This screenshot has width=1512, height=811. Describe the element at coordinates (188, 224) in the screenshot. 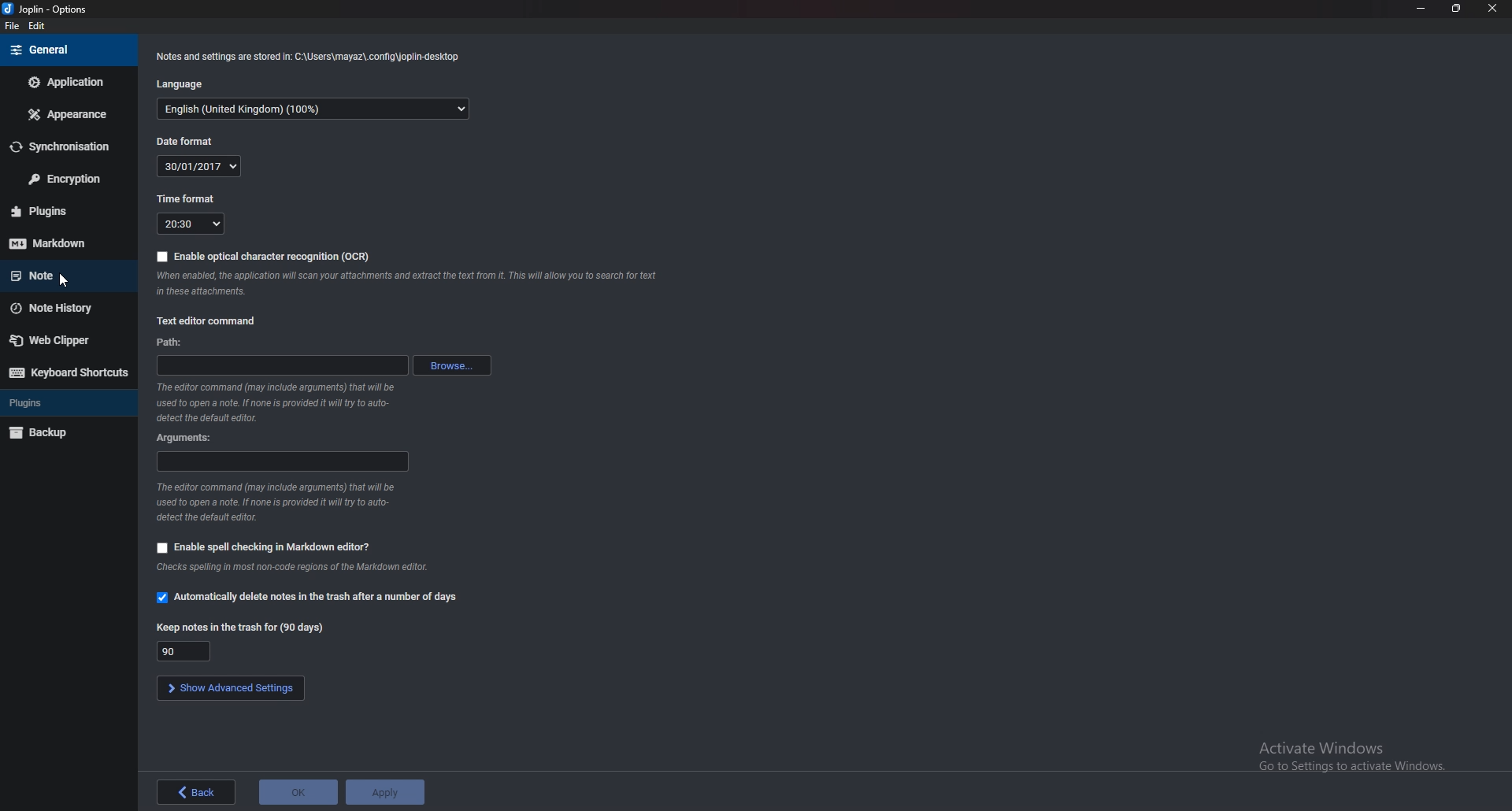

I see `Time format` at that location.